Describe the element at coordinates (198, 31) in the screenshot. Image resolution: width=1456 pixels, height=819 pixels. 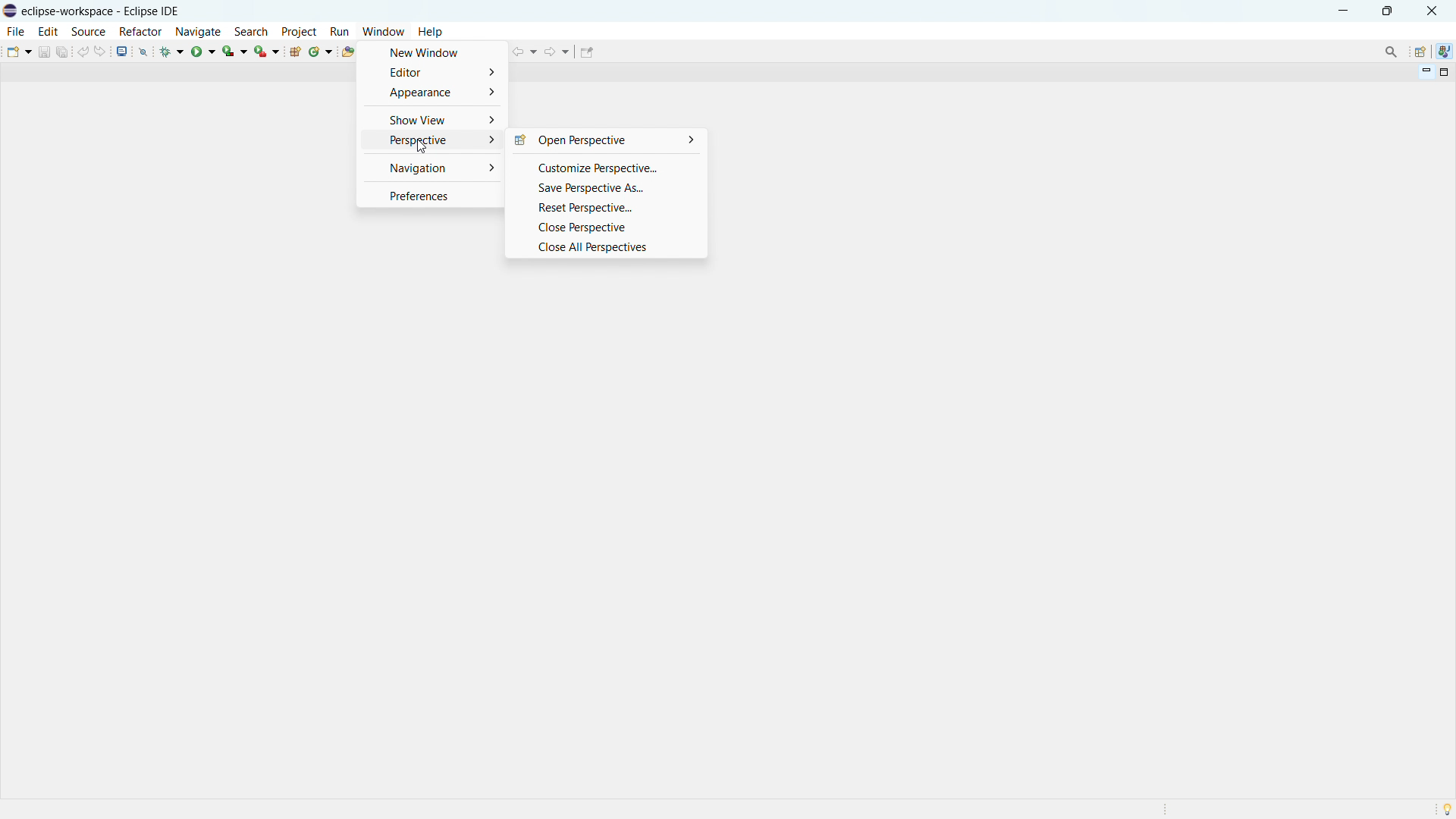
I see `navigate` at that location.